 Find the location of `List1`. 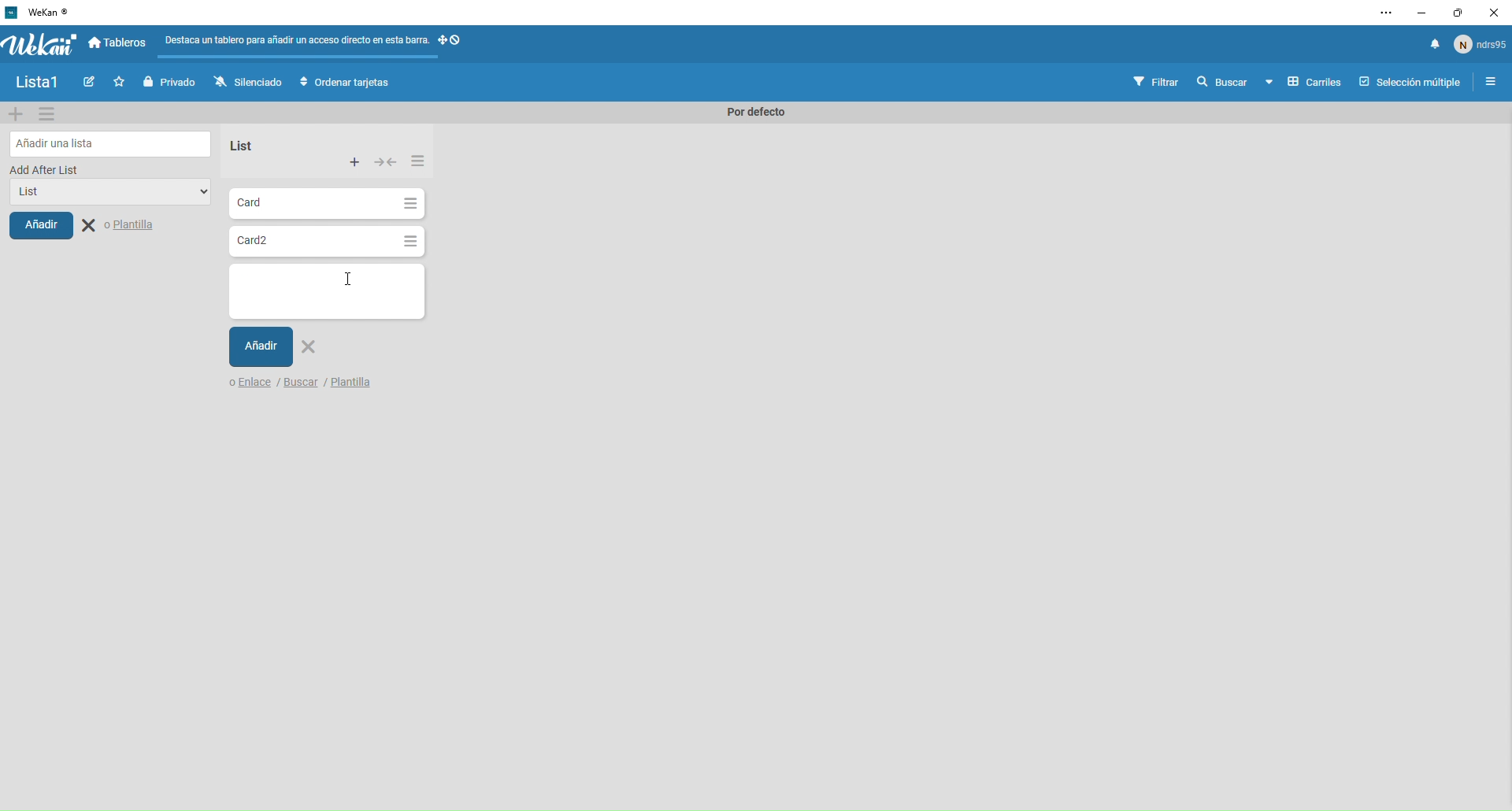

List1 is located at coordinates (43, 84).